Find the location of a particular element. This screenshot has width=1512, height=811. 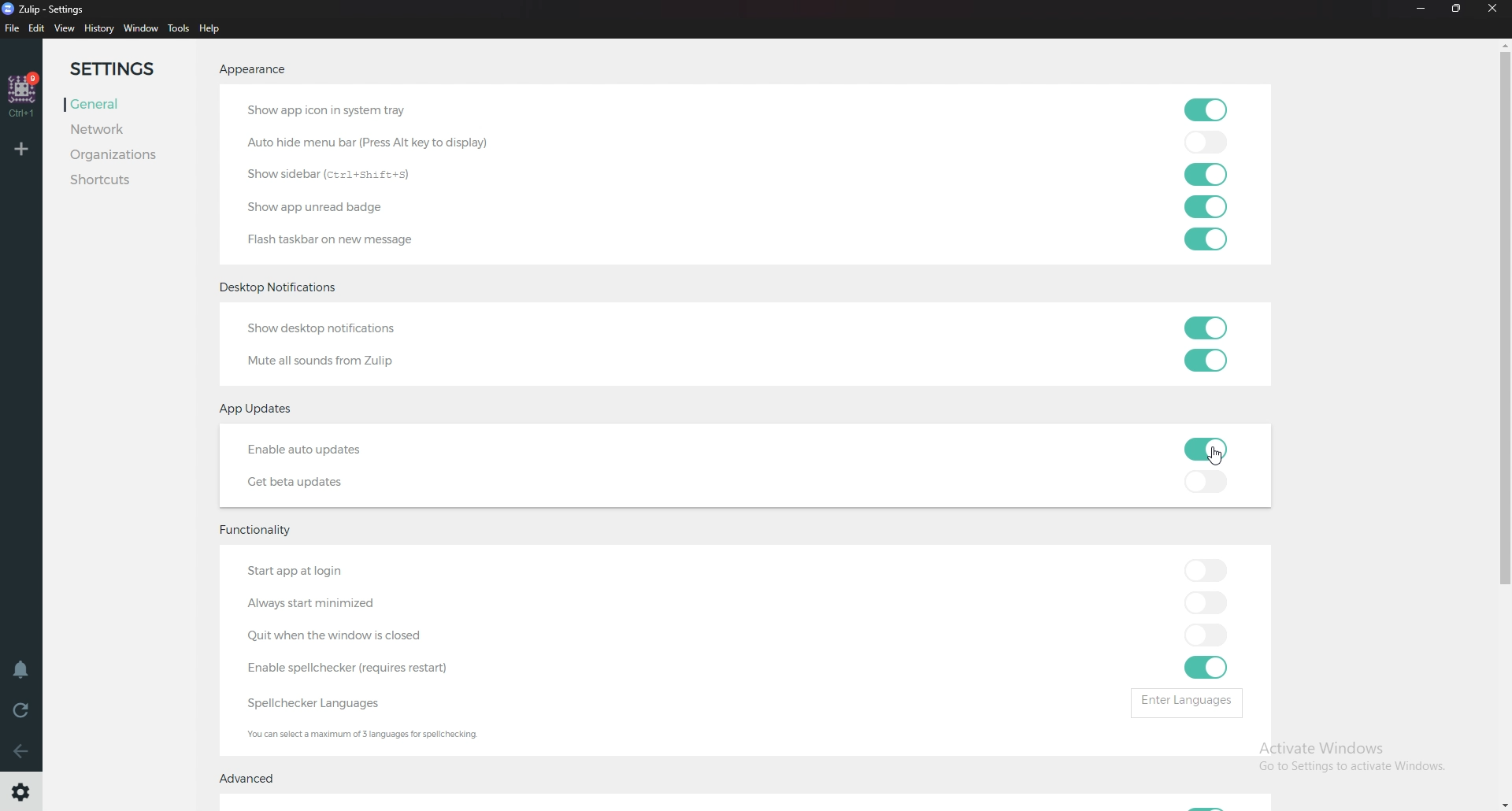

toggle is located at coordinates (1202, 172).